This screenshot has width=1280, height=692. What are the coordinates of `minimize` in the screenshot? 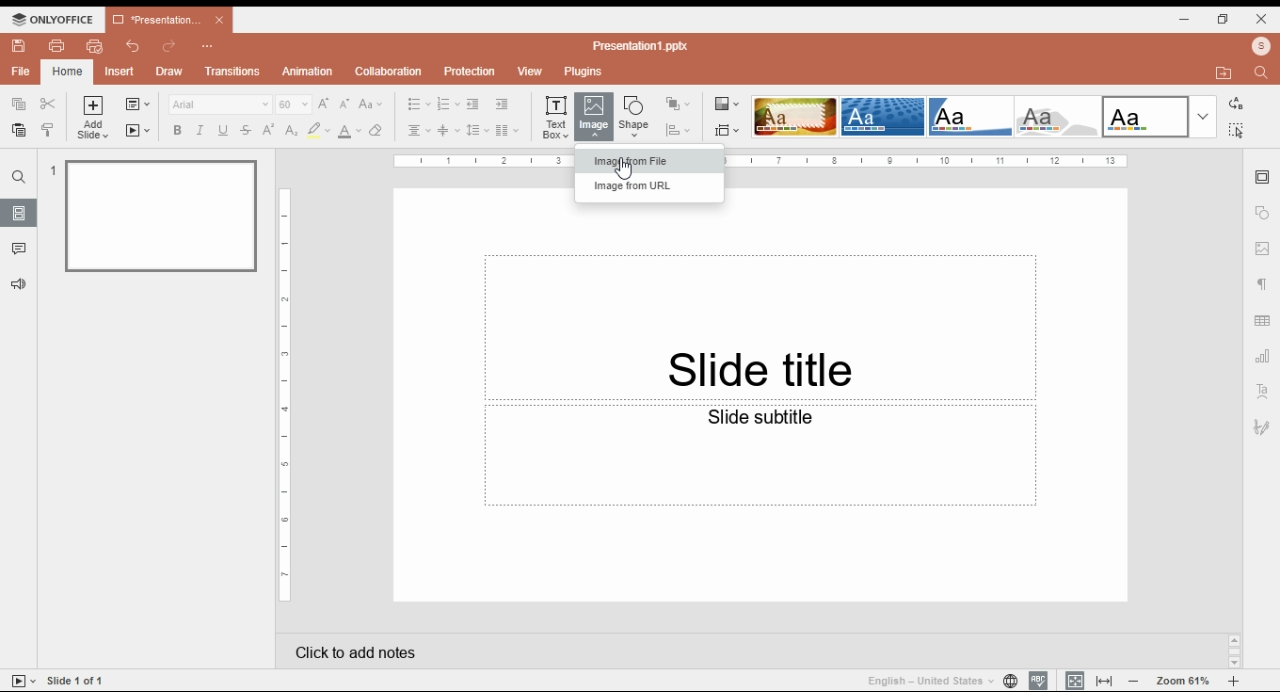 It's located at (1185, 20).